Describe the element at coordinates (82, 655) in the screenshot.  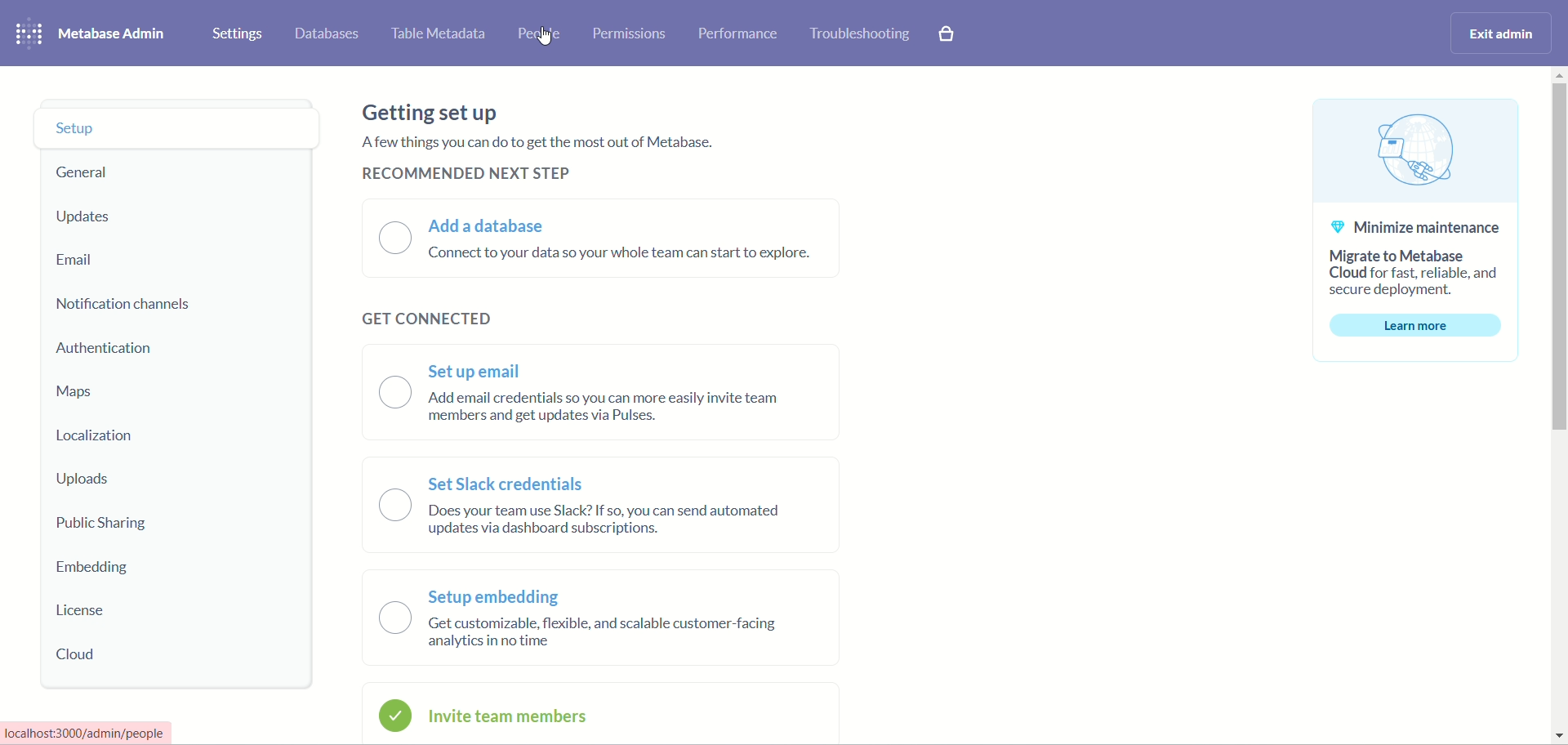
I see `cloud` at that location.